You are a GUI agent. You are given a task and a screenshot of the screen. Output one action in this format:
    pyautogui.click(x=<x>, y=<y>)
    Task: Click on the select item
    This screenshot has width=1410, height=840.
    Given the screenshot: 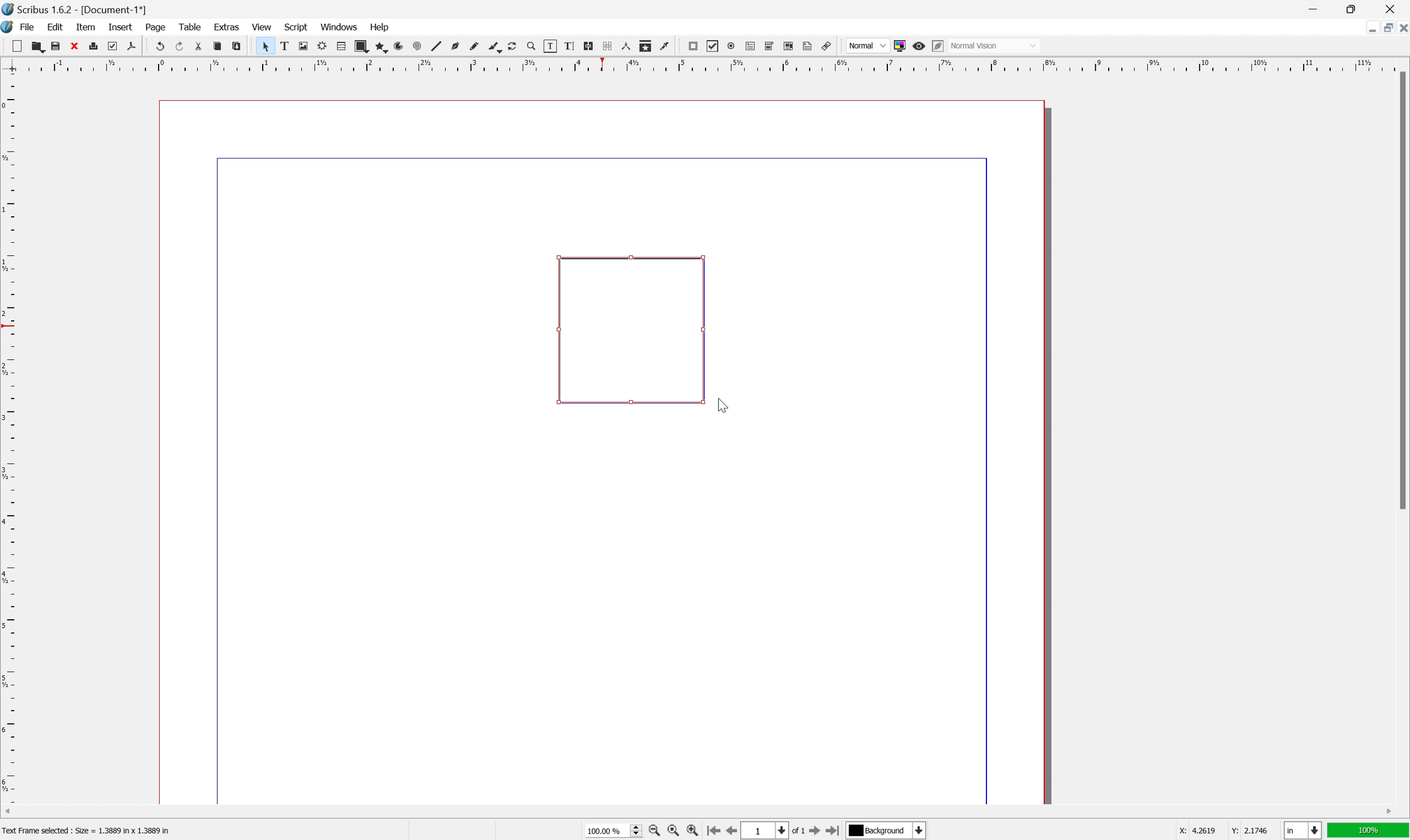 What is the action you would take?
    pyautogui.click(x=266, y=46)
    